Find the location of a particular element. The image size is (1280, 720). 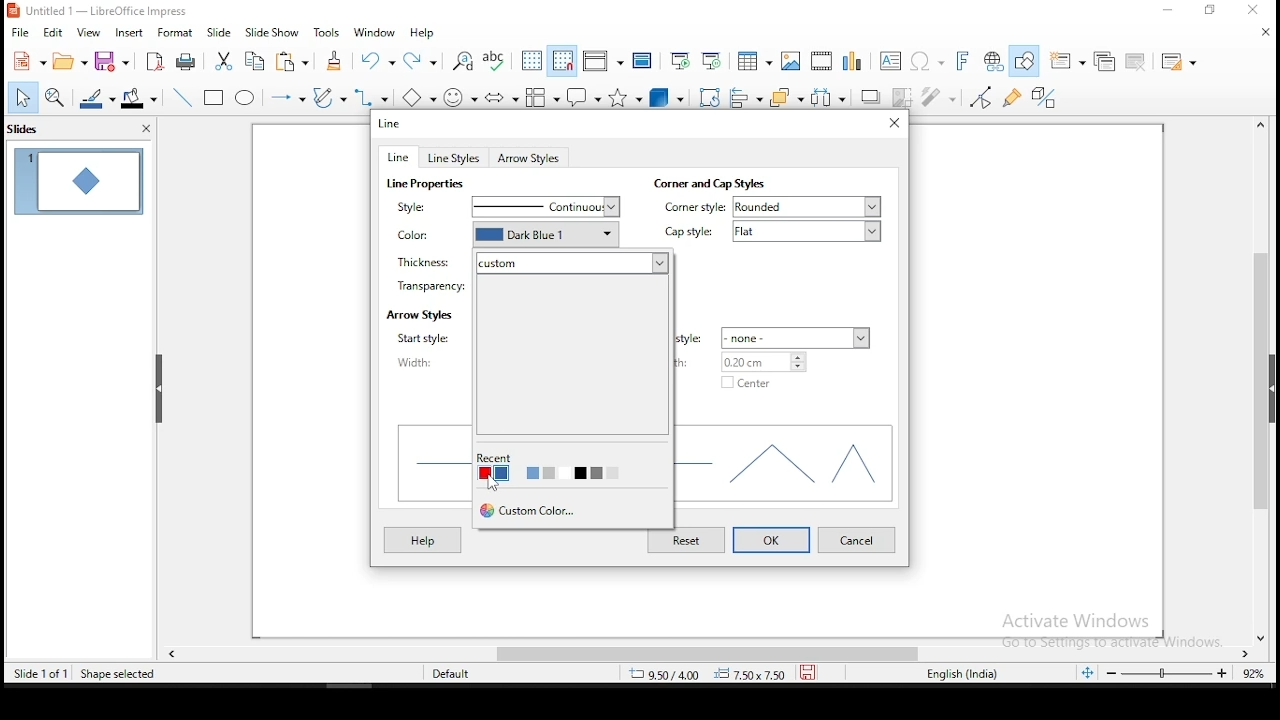

arrow styles is located at coordinates (530, 159).